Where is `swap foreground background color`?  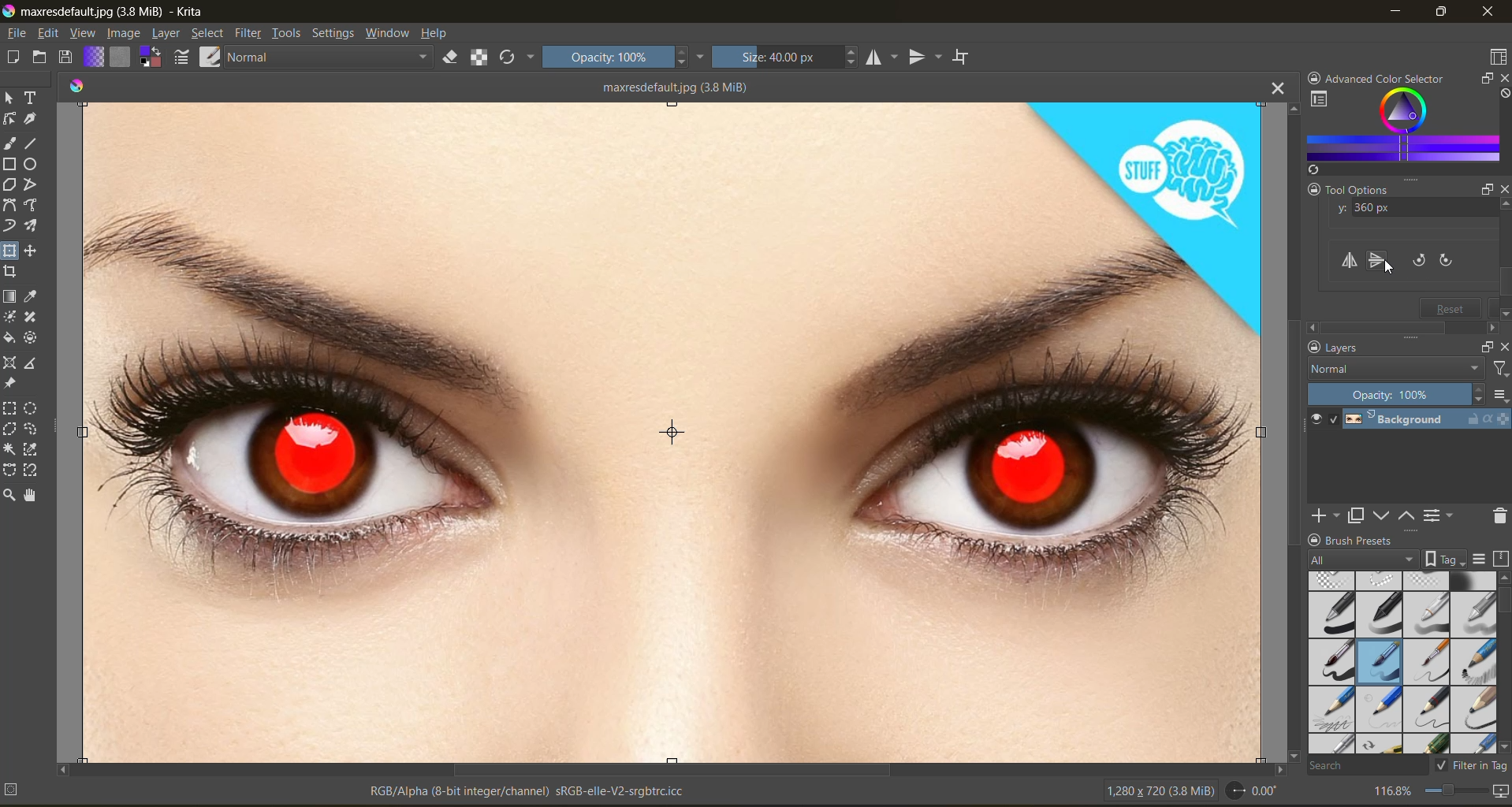 swap foreground background color is located at coordinates (151, 57).